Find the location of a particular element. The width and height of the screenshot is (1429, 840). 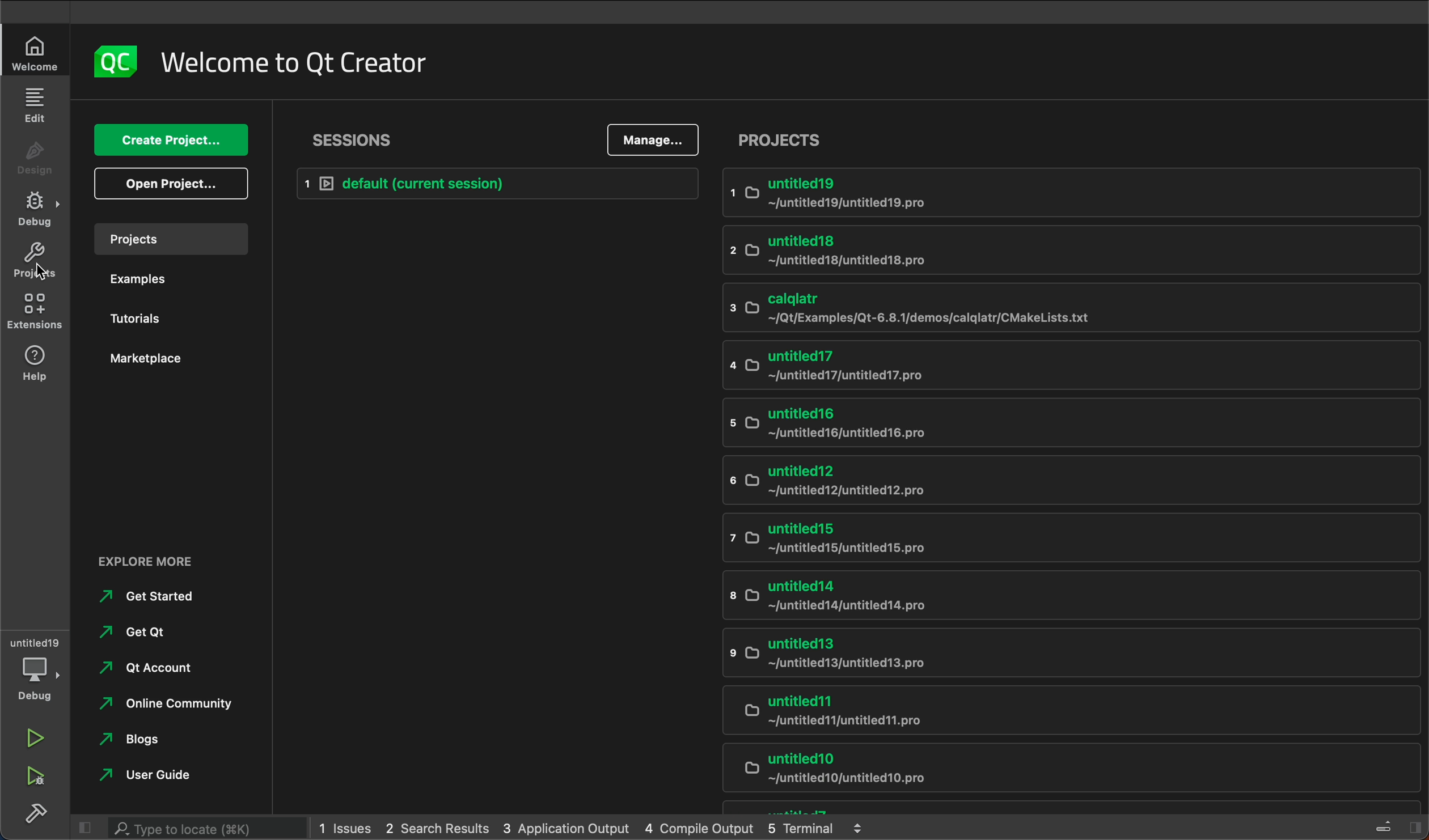

qt account is located at coordinates (152, 663).